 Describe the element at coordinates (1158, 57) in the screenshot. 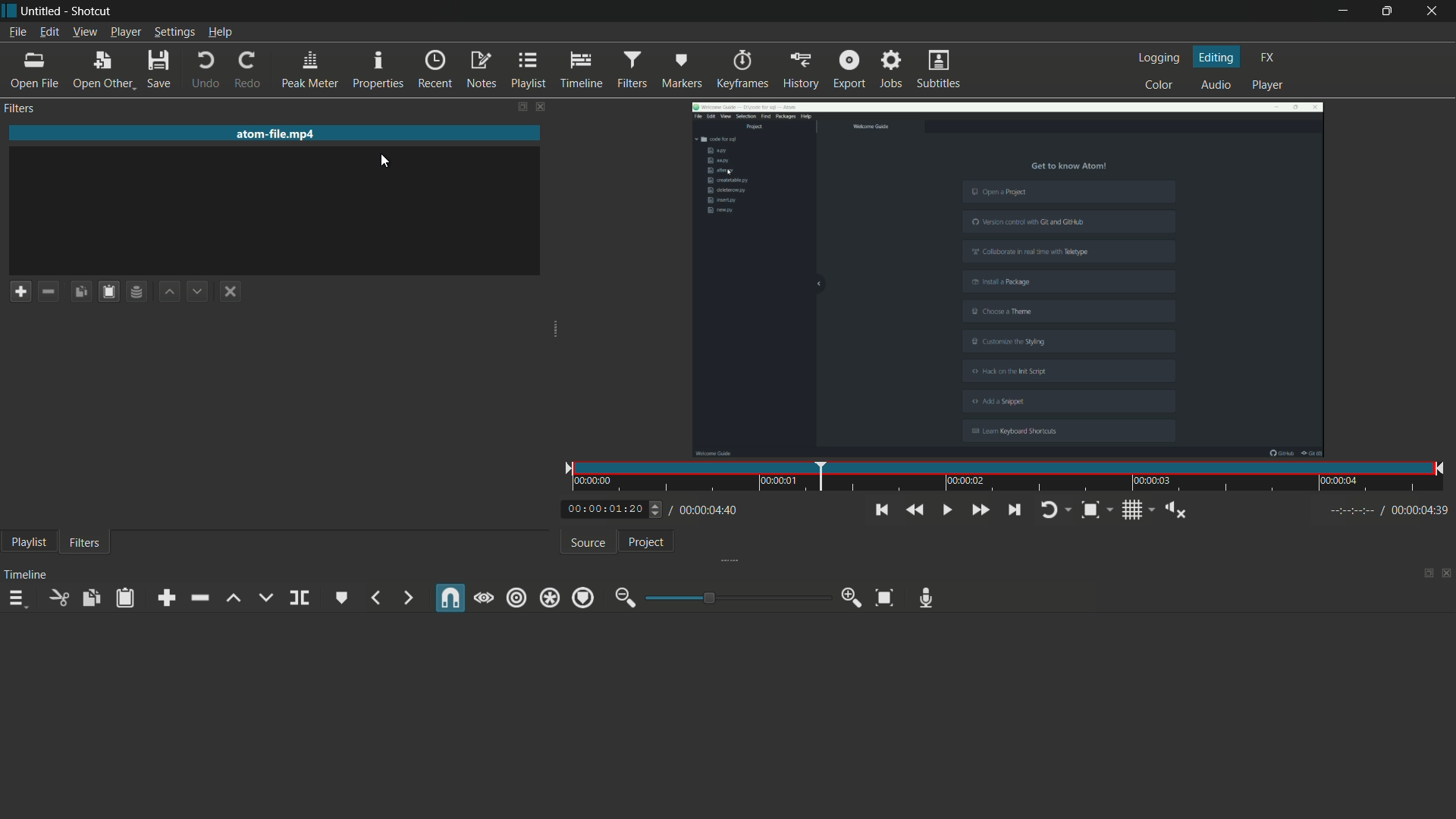

I see `logging` at that location.